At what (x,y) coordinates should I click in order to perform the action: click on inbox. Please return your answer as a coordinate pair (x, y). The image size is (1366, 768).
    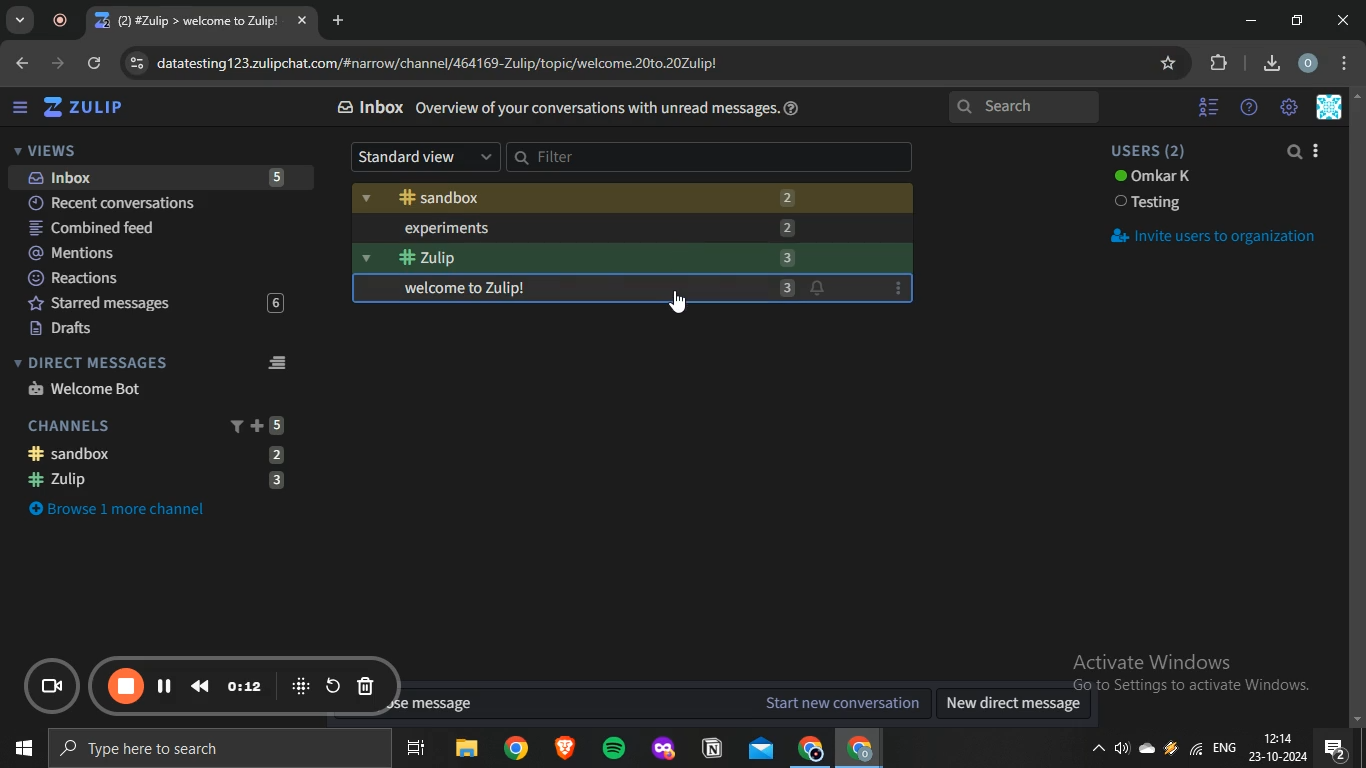
    Looking at the image, I should click on (153, 177).